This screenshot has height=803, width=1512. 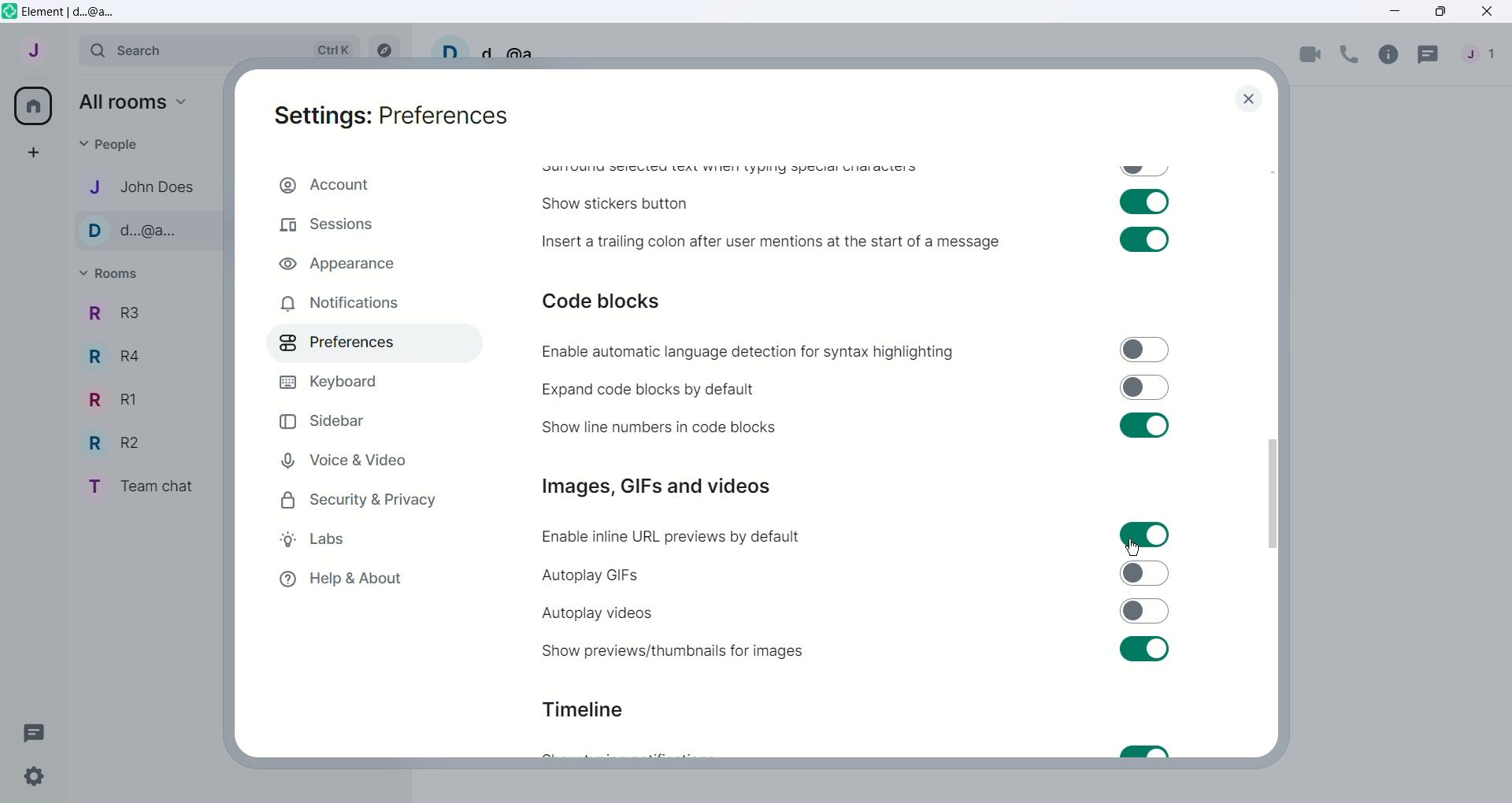 What do you see at coordinates (120, 442) in the screenshot?
I see `R2 - Room Name` at bounding box center [120, 442].